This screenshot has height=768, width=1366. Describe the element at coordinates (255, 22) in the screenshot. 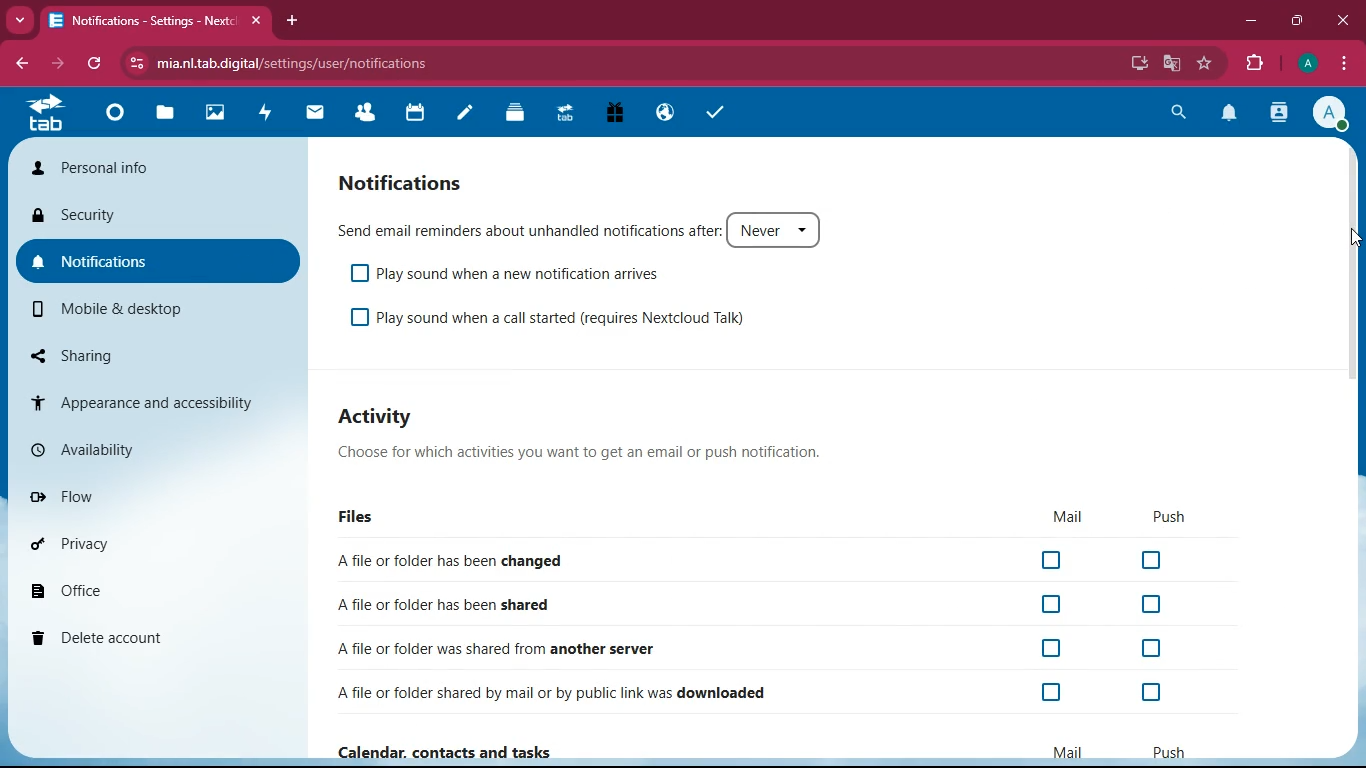

I see `close` at that location.